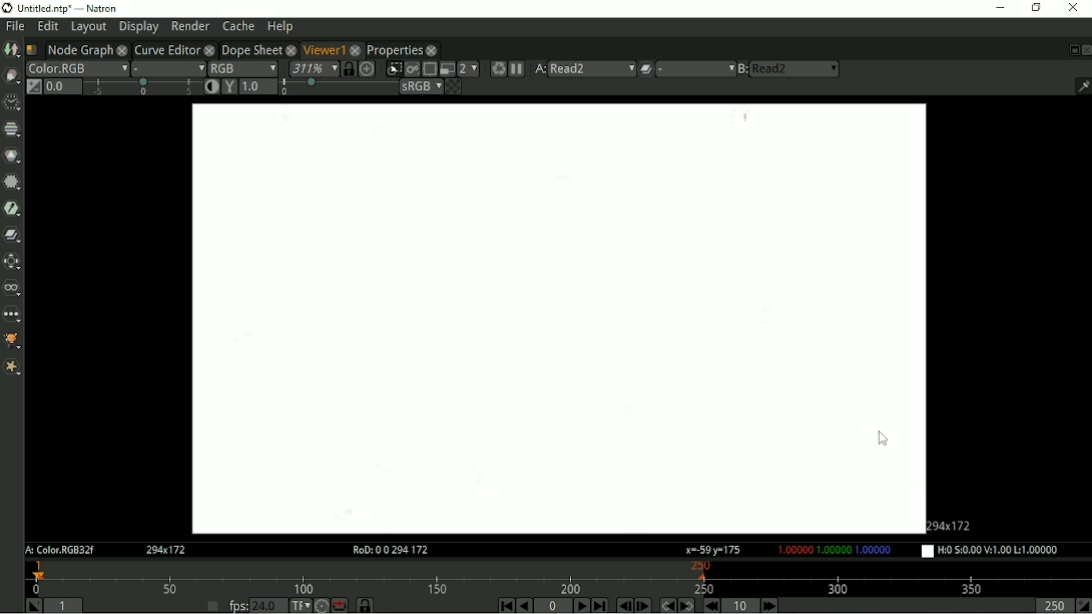 This screenshot has width=1092, height=614. Describe the element at coordinates (1083, 606) in the screenshot. I see `Set the playback out point at the current frame` at that location.